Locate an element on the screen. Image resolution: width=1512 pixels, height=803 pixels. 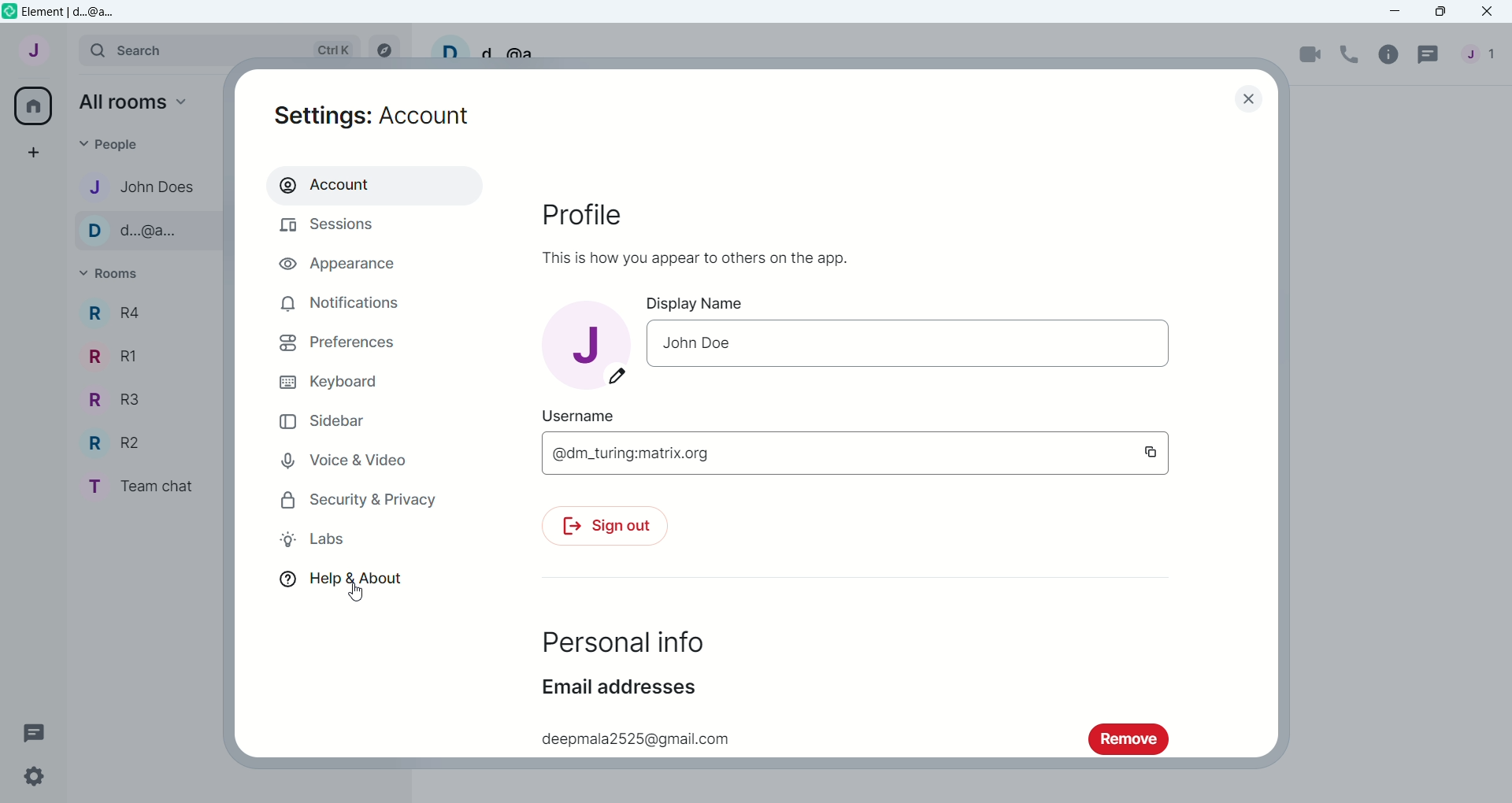
Rooms is located at coordinates (115, 274).